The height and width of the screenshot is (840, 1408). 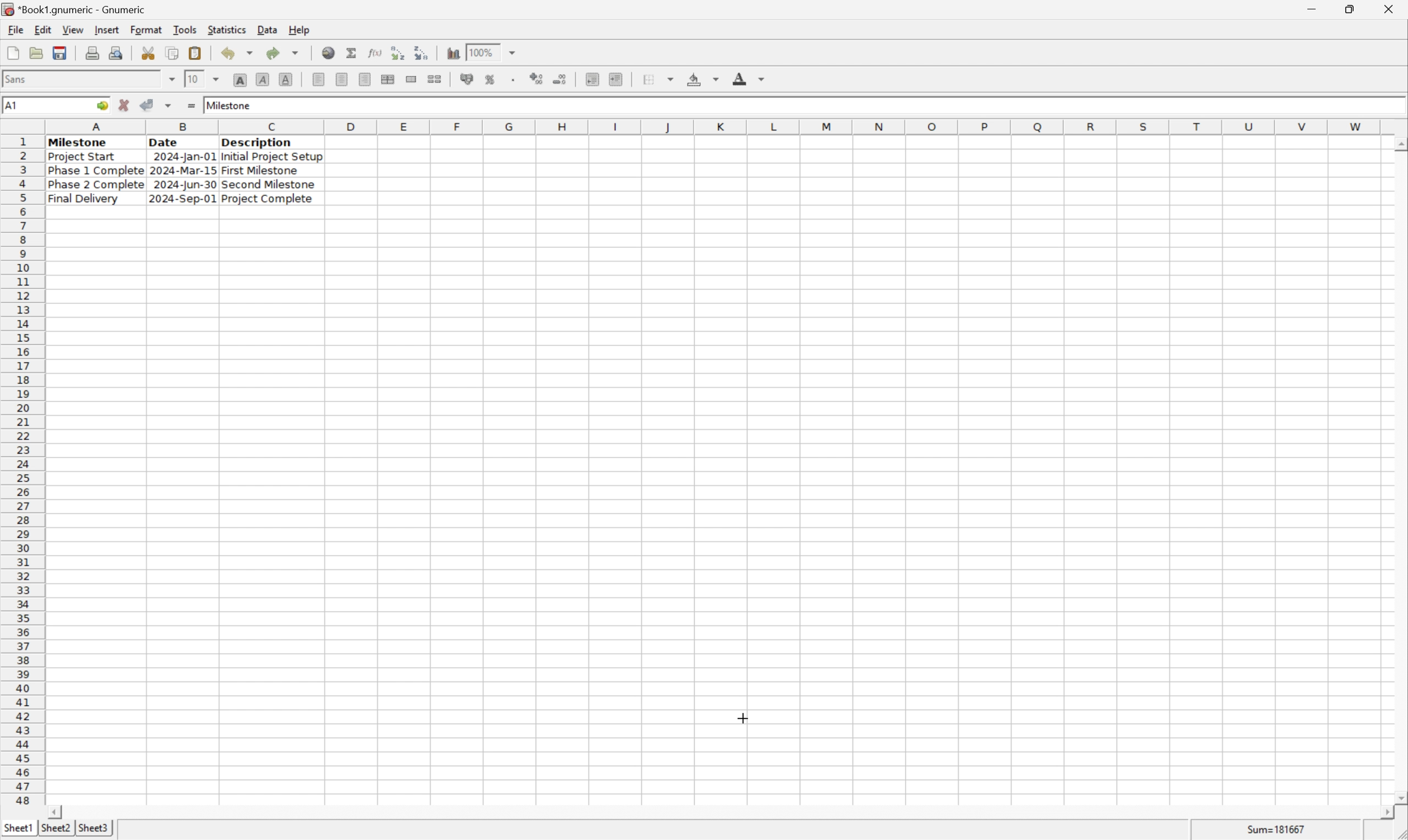 I want to click on decrease number of decimals displayed, so click(x=562, y=80).